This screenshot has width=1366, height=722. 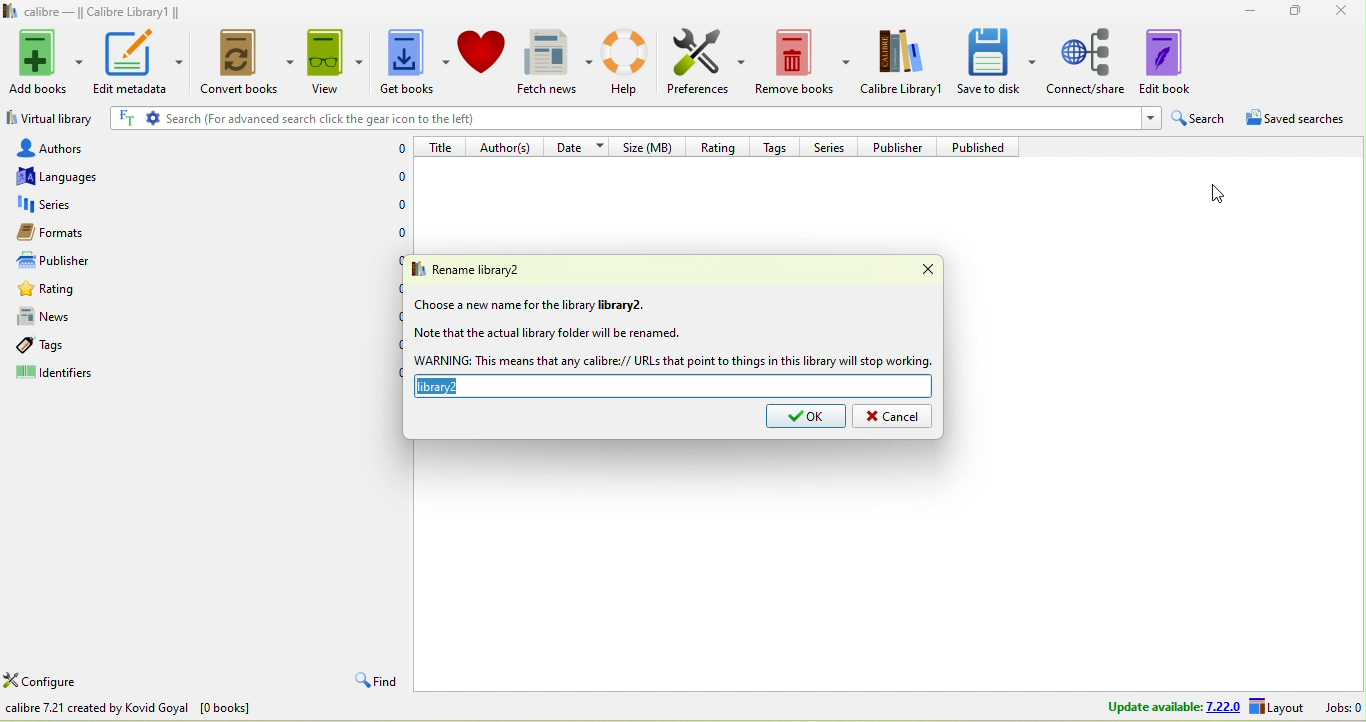 What do you see at coordinates (75, 375) in the screenshot?
I see `identifiers` at bounding box center [75, 375].